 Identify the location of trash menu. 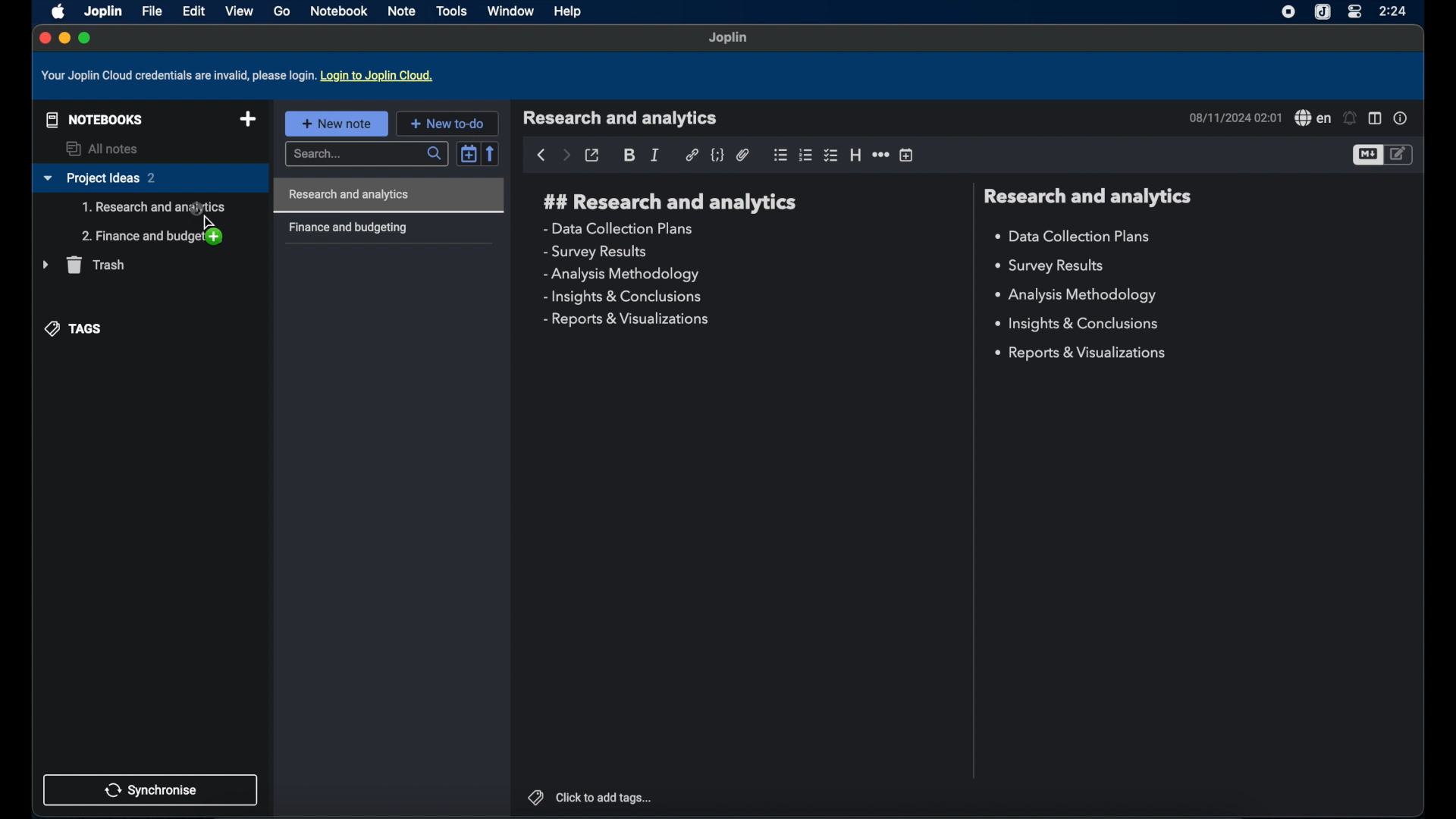
(83, 265).